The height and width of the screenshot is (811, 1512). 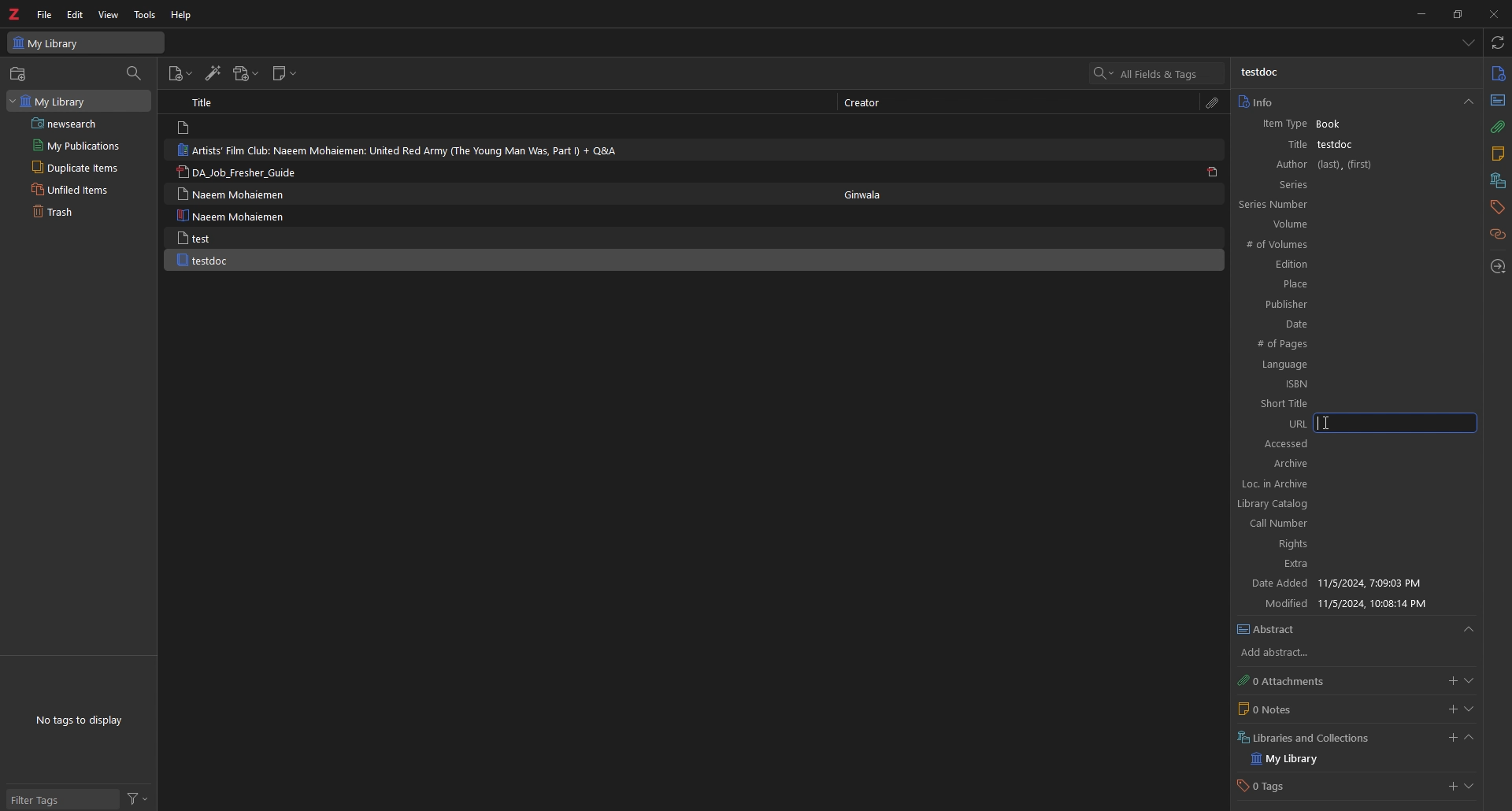 I want to click on Author (last),(first), so click(x=1322, y=165).